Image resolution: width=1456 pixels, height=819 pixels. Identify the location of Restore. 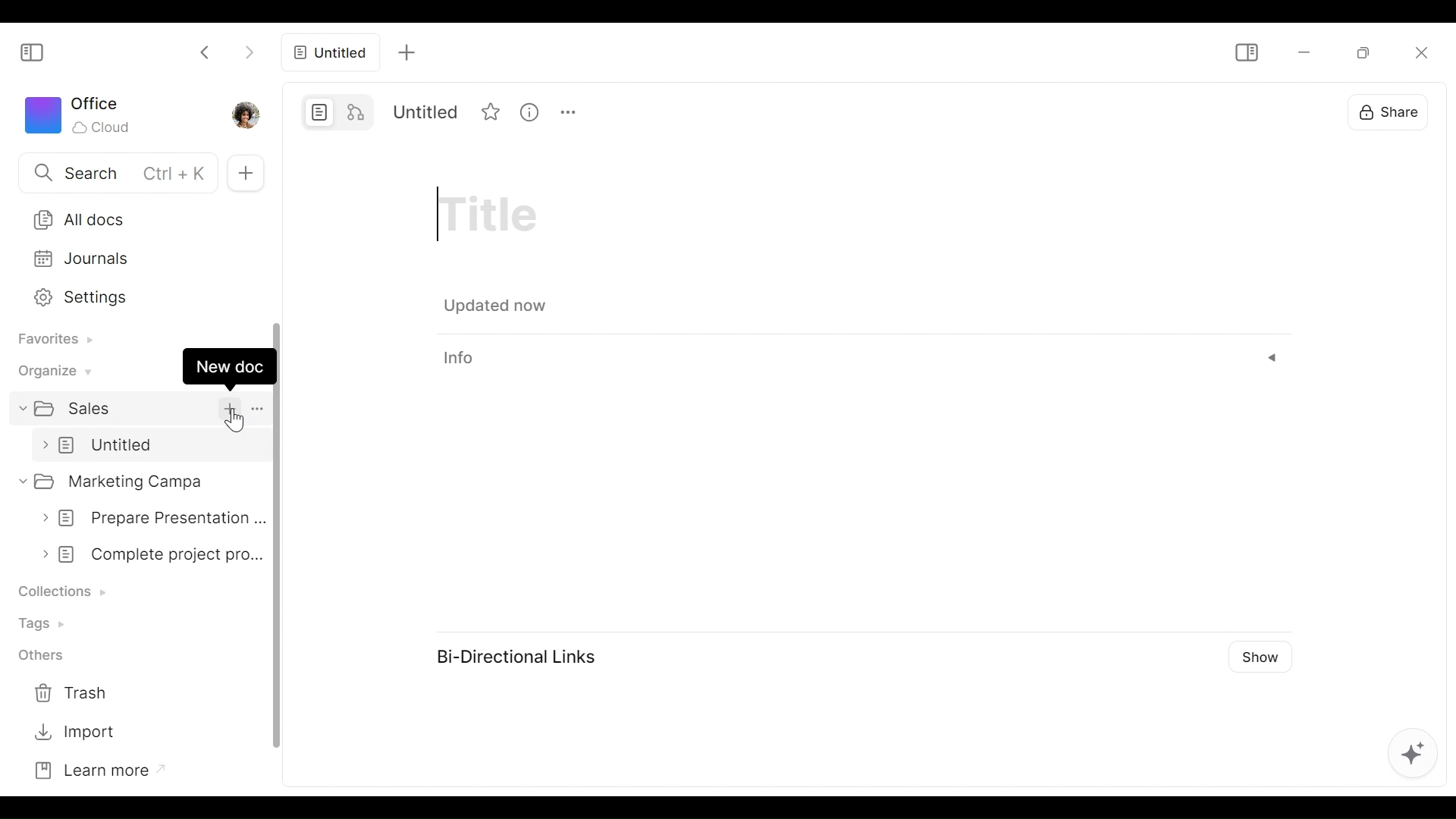
(1357, 52).